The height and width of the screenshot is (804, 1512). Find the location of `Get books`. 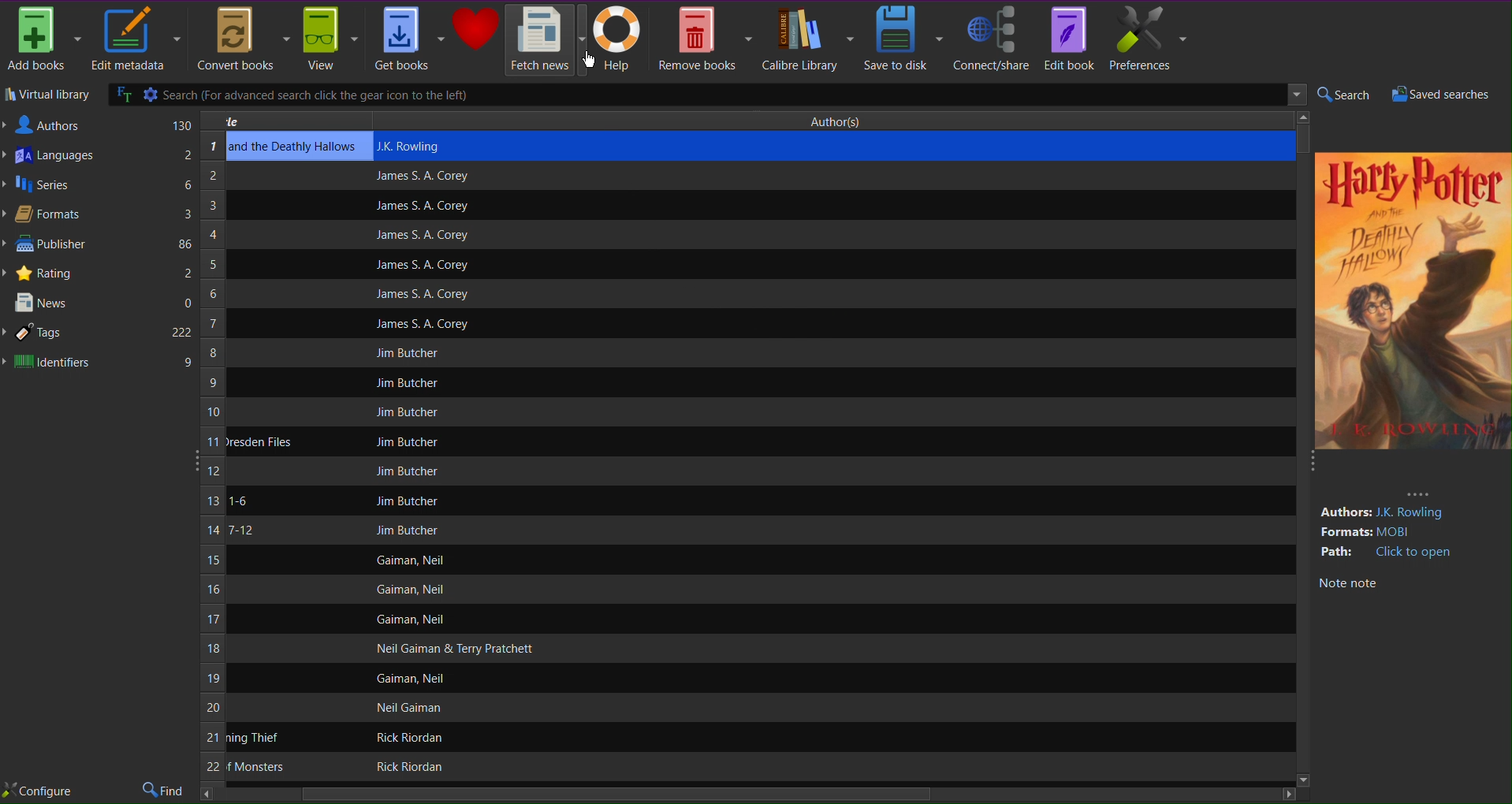

Get books is located at coordinates (409, 39).